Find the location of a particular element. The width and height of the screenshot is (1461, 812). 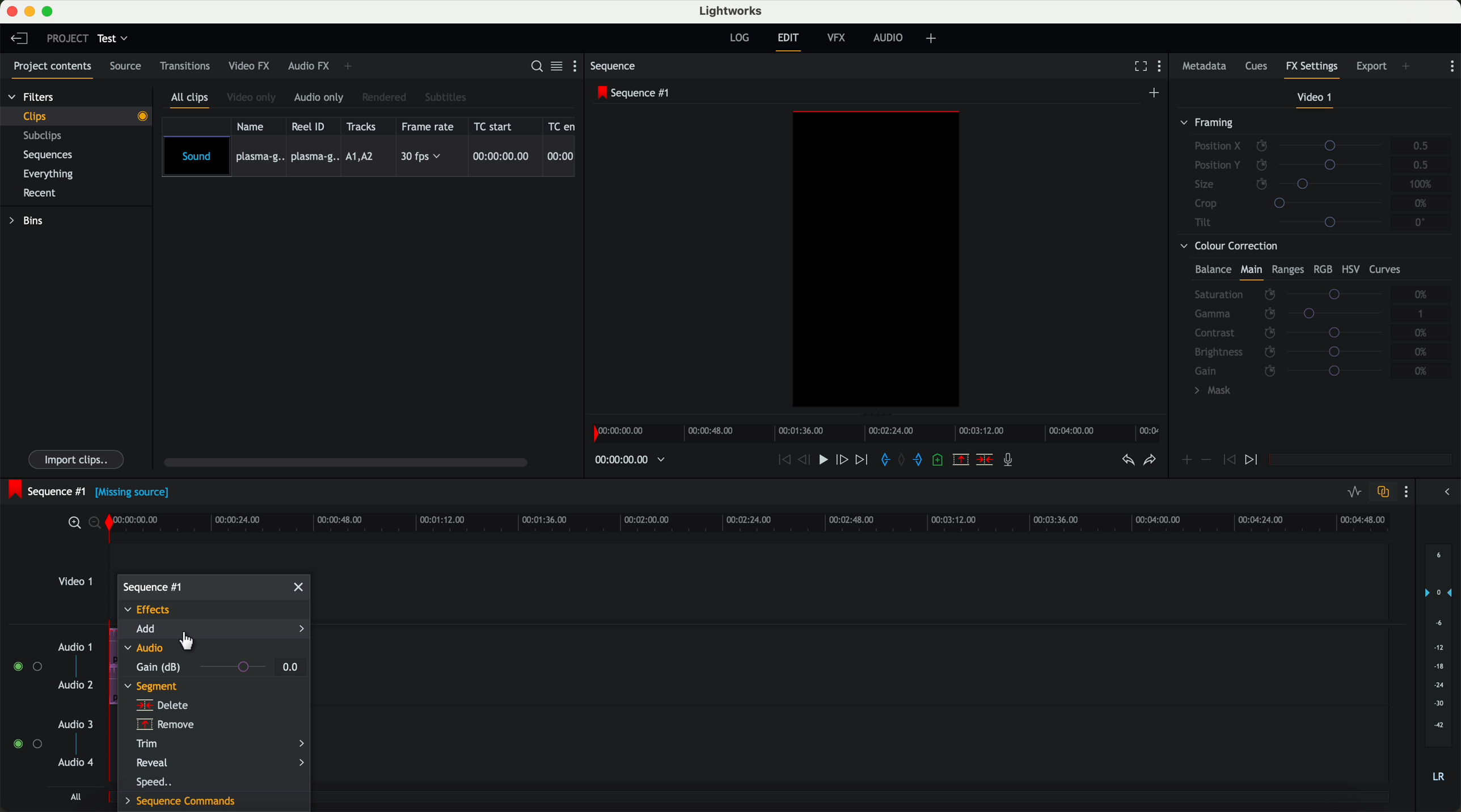

redo is located at coordinates (1148, 462).